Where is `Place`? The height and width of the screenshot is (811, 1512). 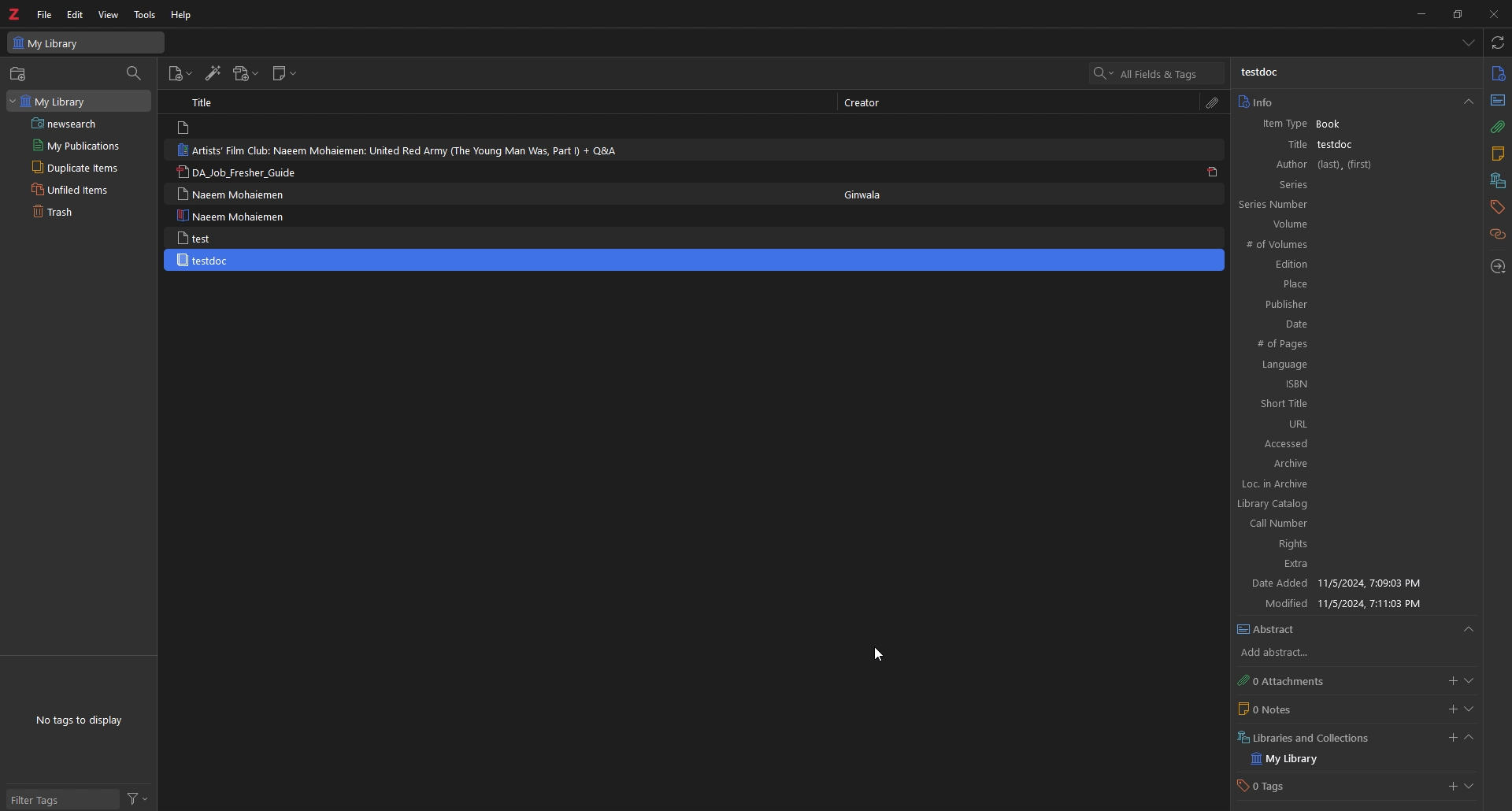 Place is located at coordinates (1347, 283).